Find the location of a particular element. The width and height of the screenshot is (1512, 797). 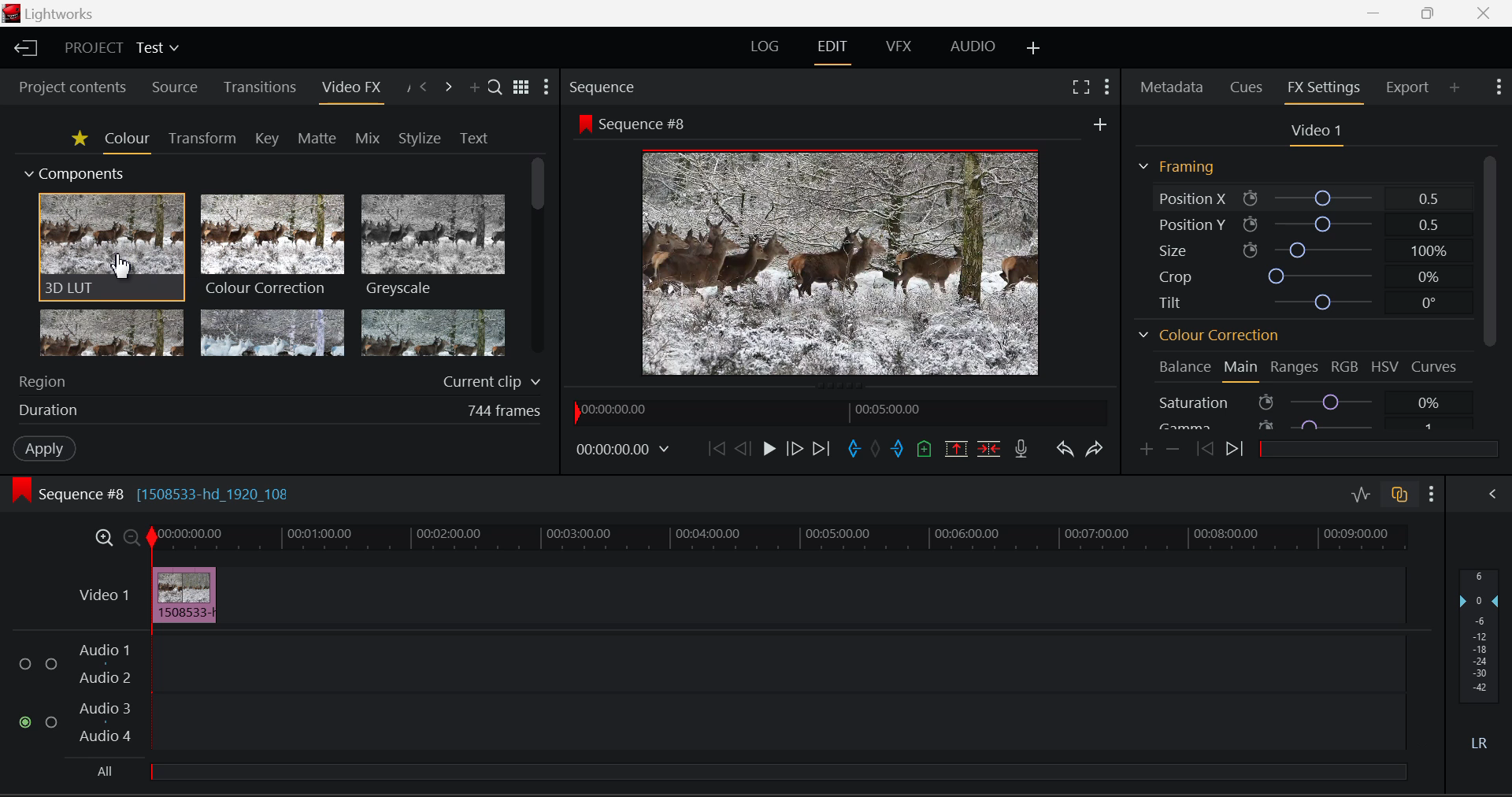

Position Y is located at coordinates (1308, 222).